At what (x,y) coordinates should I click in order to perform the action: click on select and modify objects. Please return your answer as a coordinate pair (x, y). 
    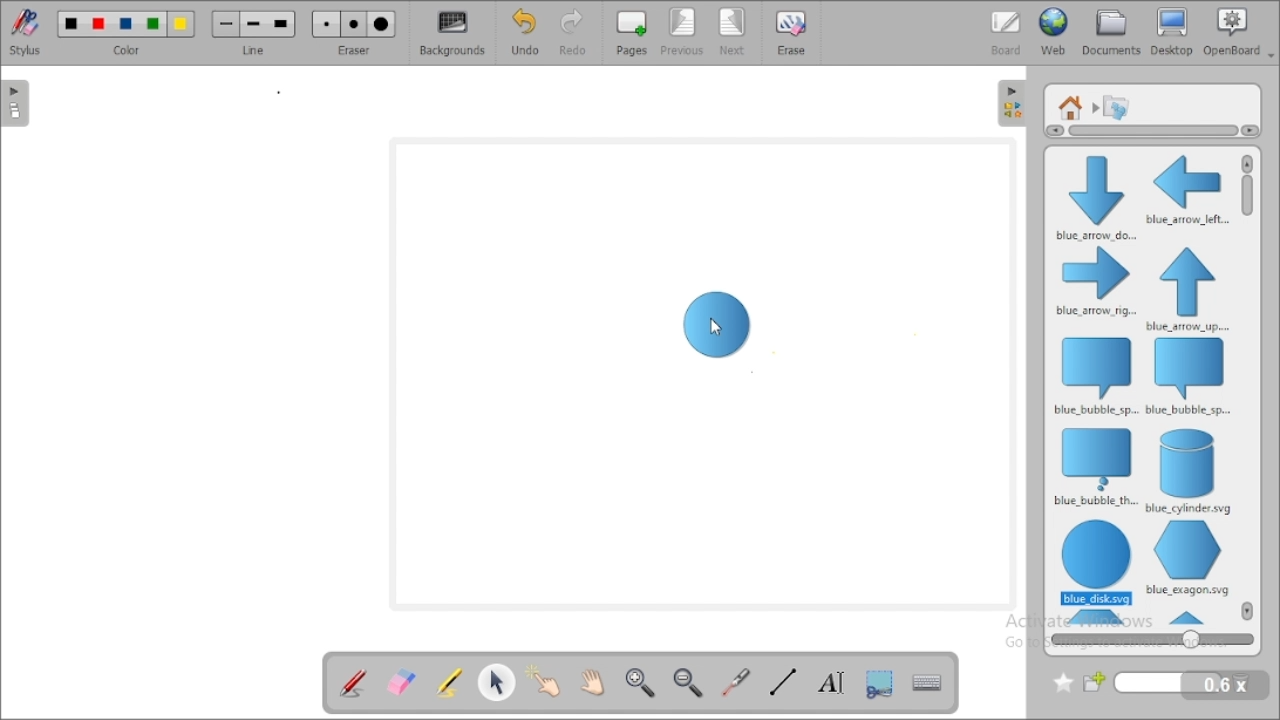
    Looking at the image, I should click on (498, 681).